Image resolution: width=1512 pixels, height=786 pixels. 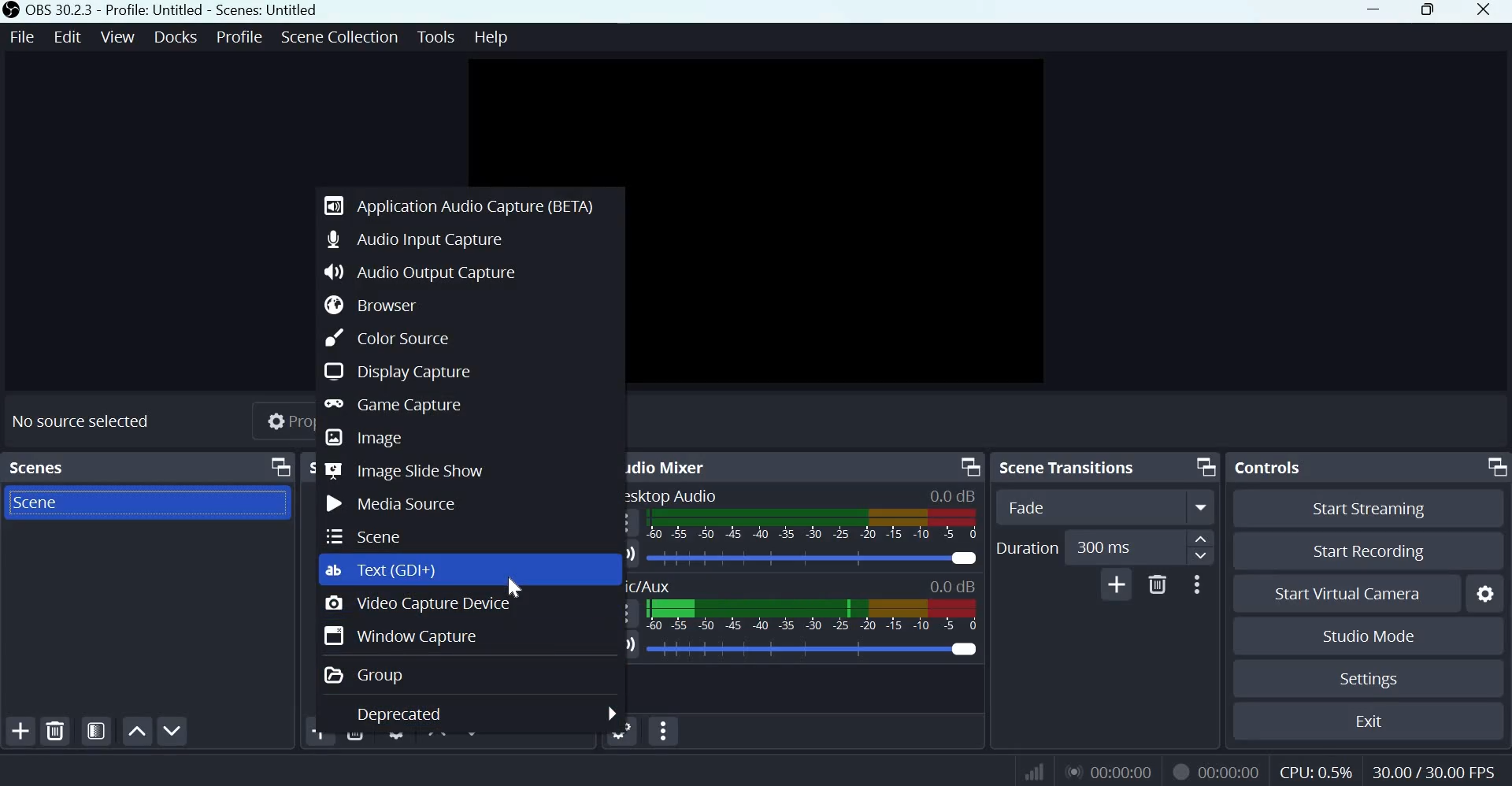 I want to click on Add Transition, so click(x=1117, y=584).